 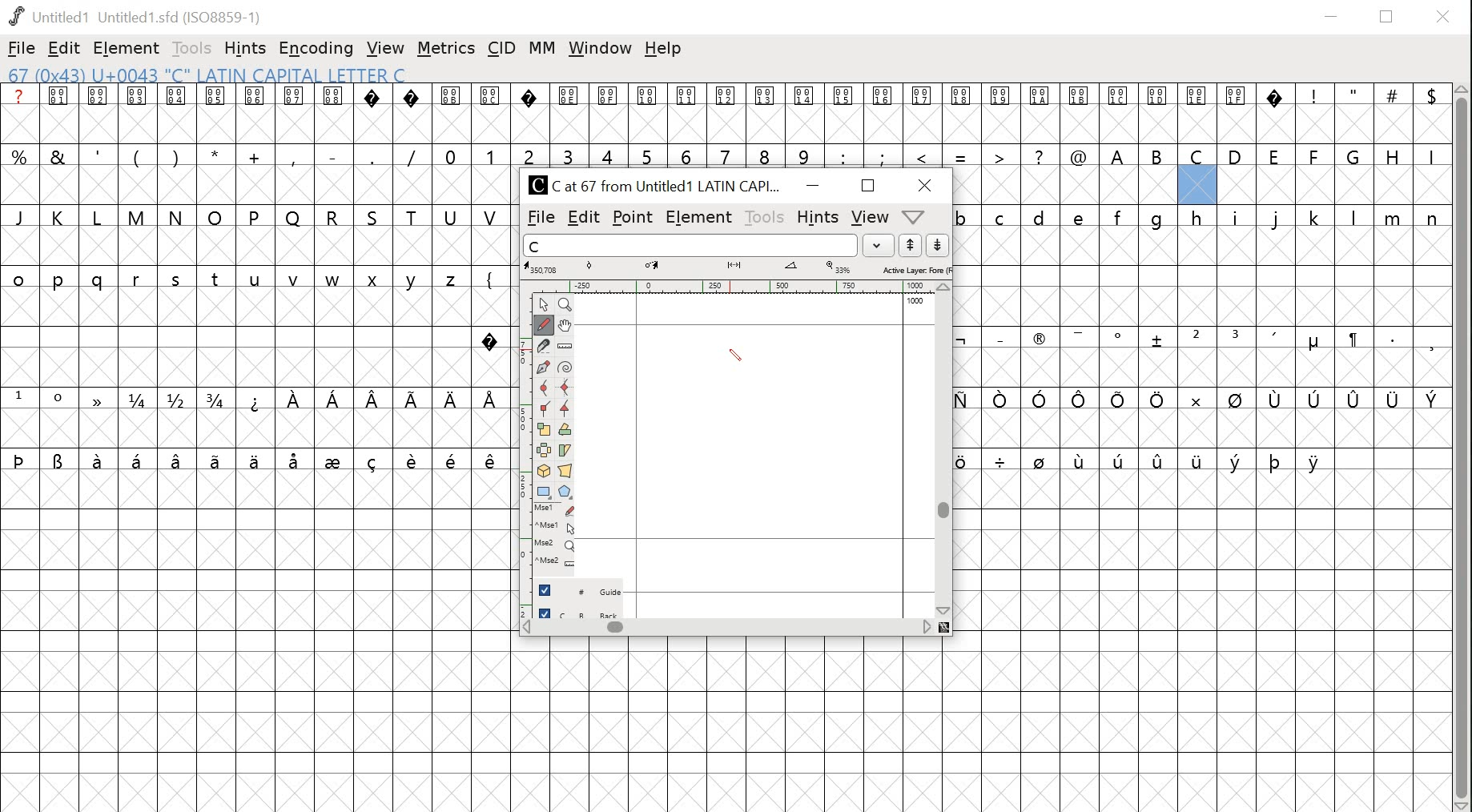 I want to click on minimize, so click(x=813, y=186).